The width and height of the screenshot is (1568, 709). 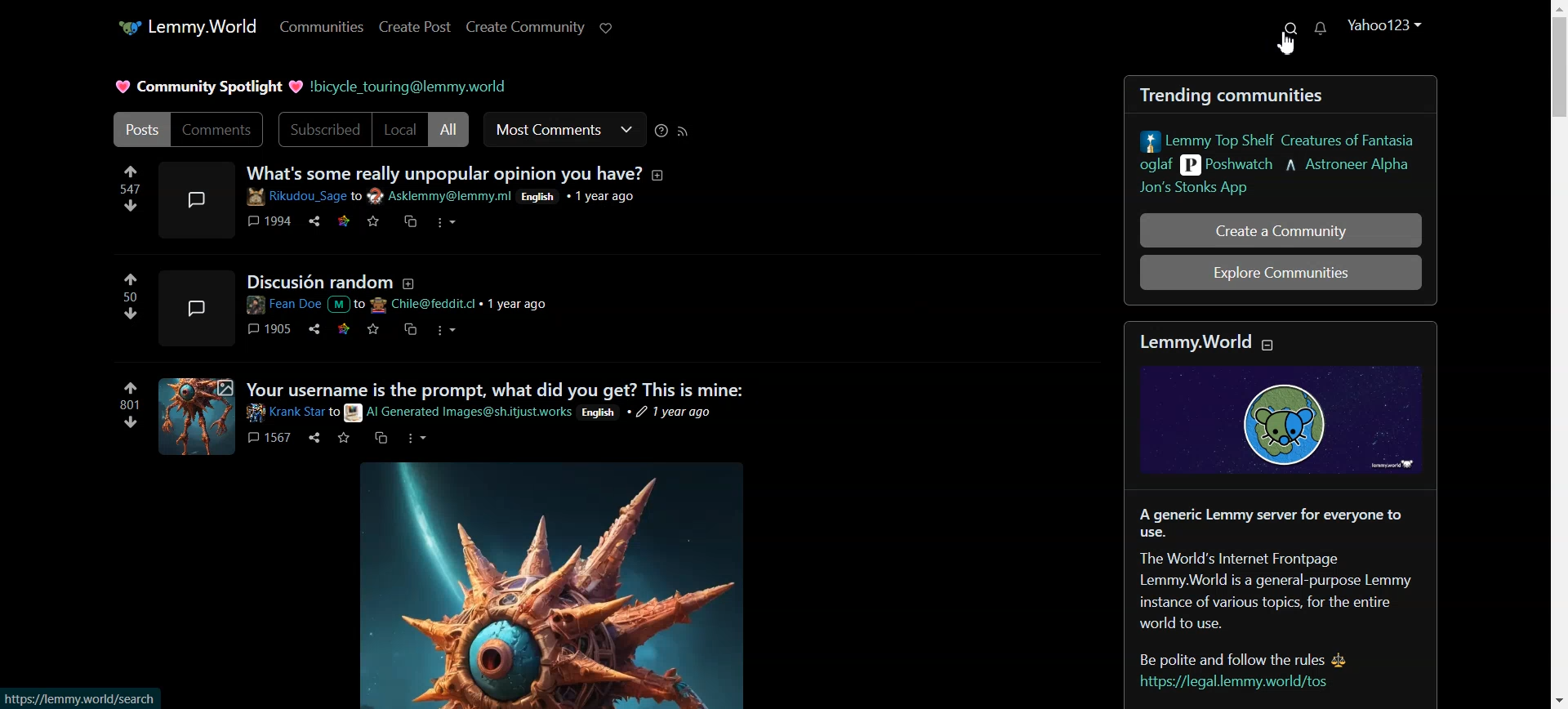 I want to click on https://legal.lemmy.world/tos, so click(x=1233, y=682).